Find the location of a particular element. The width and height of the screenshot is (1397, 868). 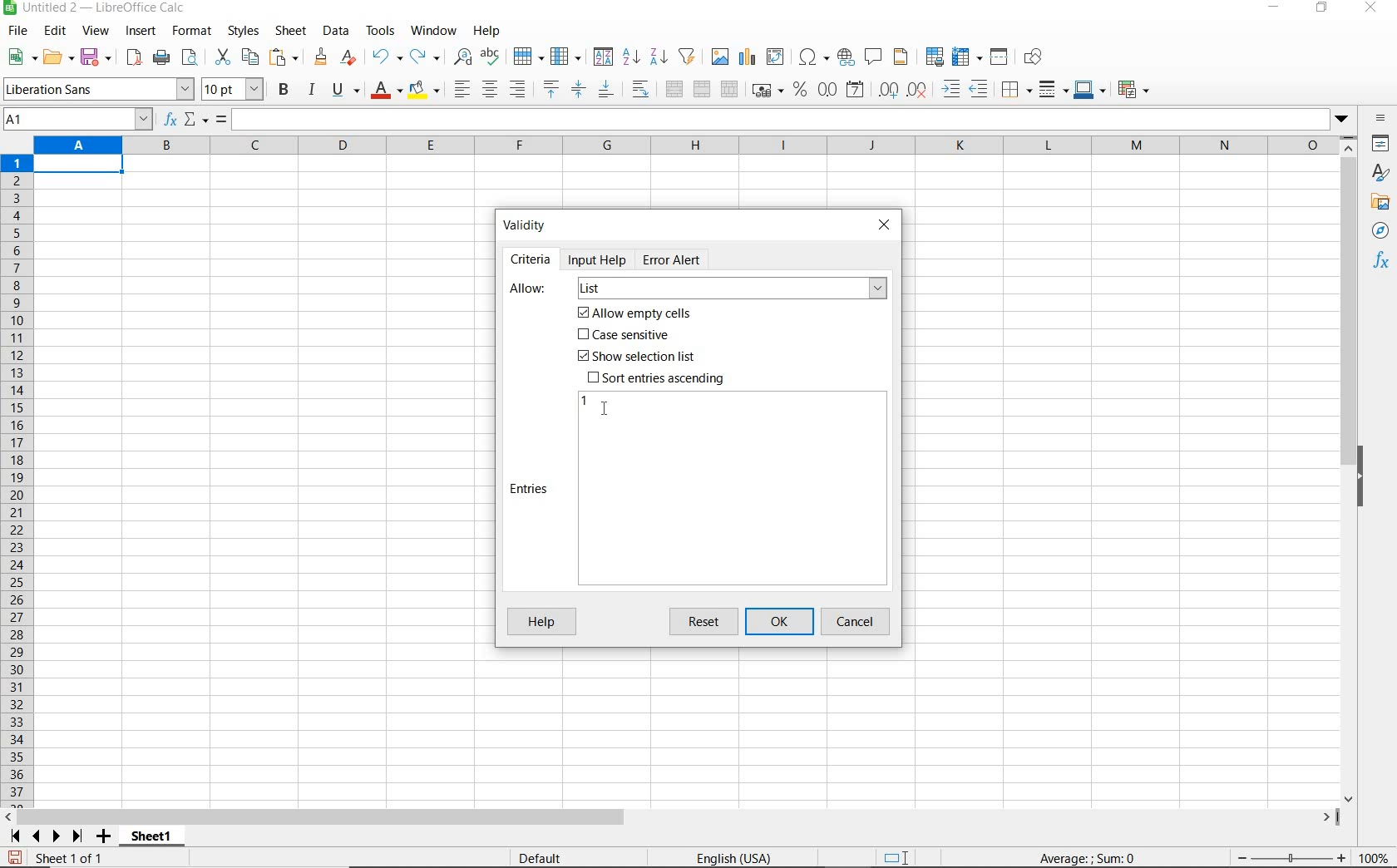

standard selection is located at coordinates (897, 859).